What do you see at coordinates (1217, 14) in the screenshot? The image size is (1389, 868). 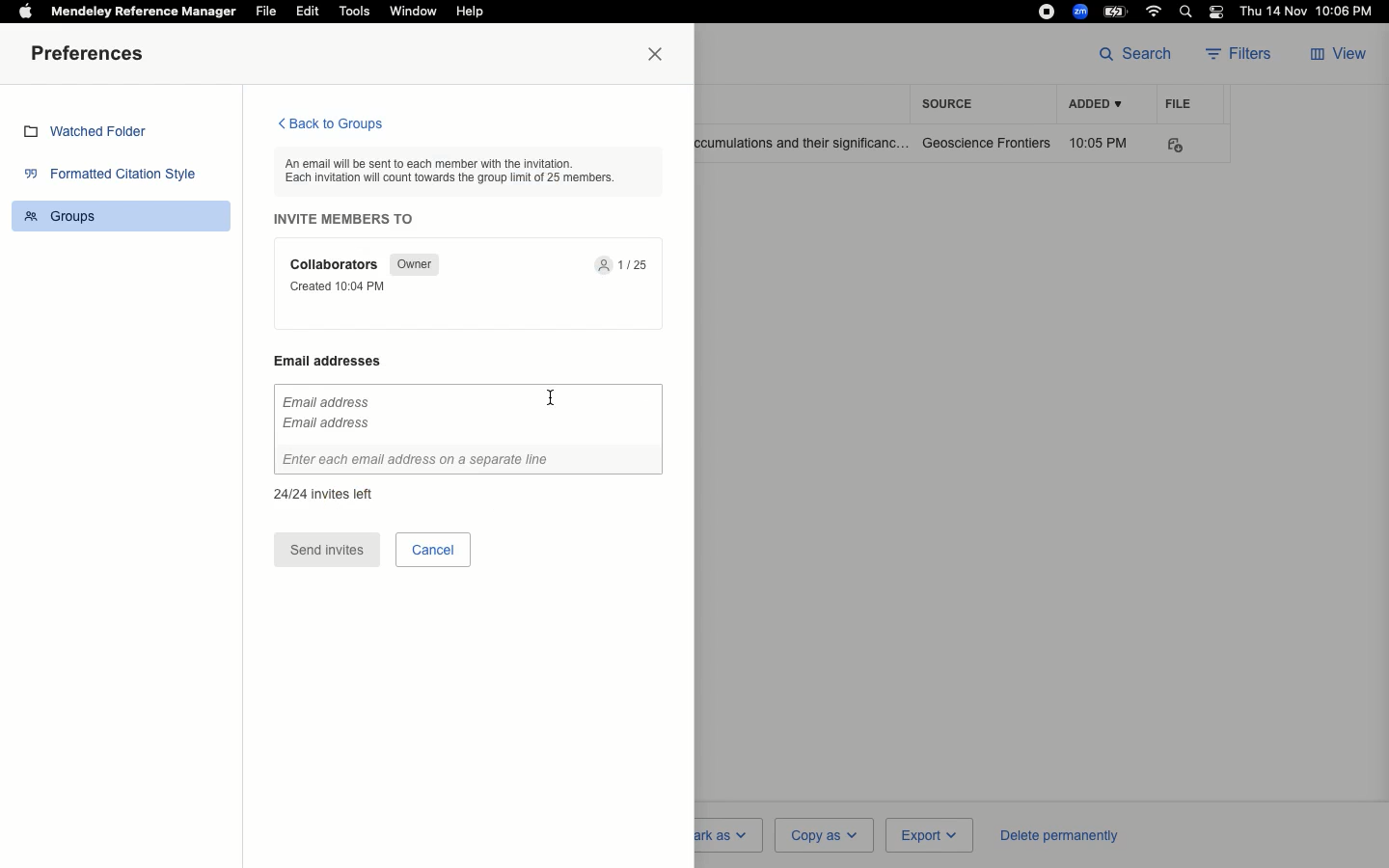 I see `Notification bar` at bounding box center [1217, 14].